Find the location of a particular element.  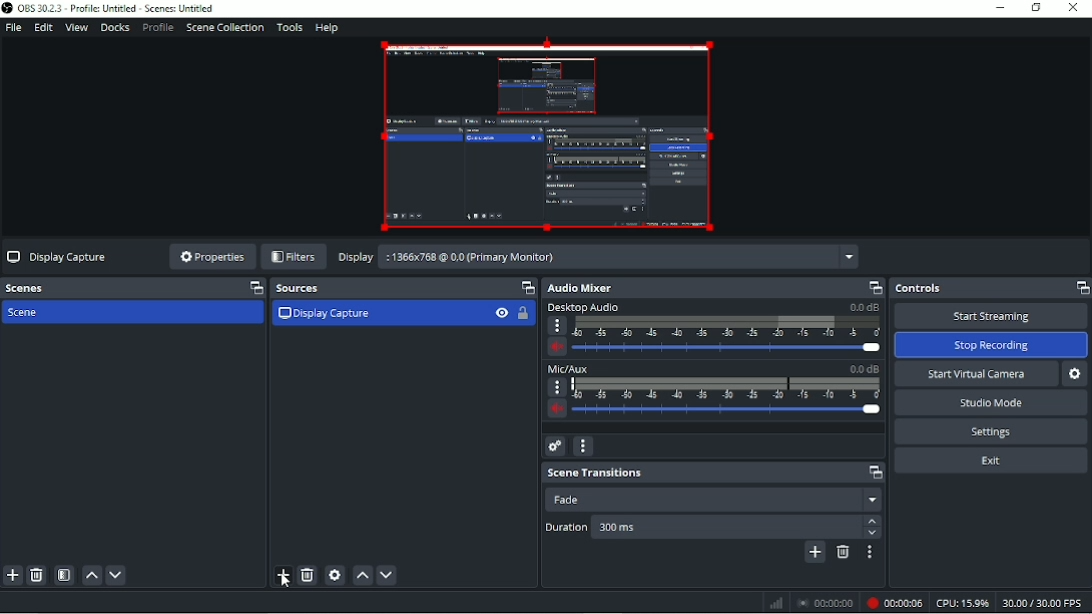

Add source is located at coordinates (283, 576).